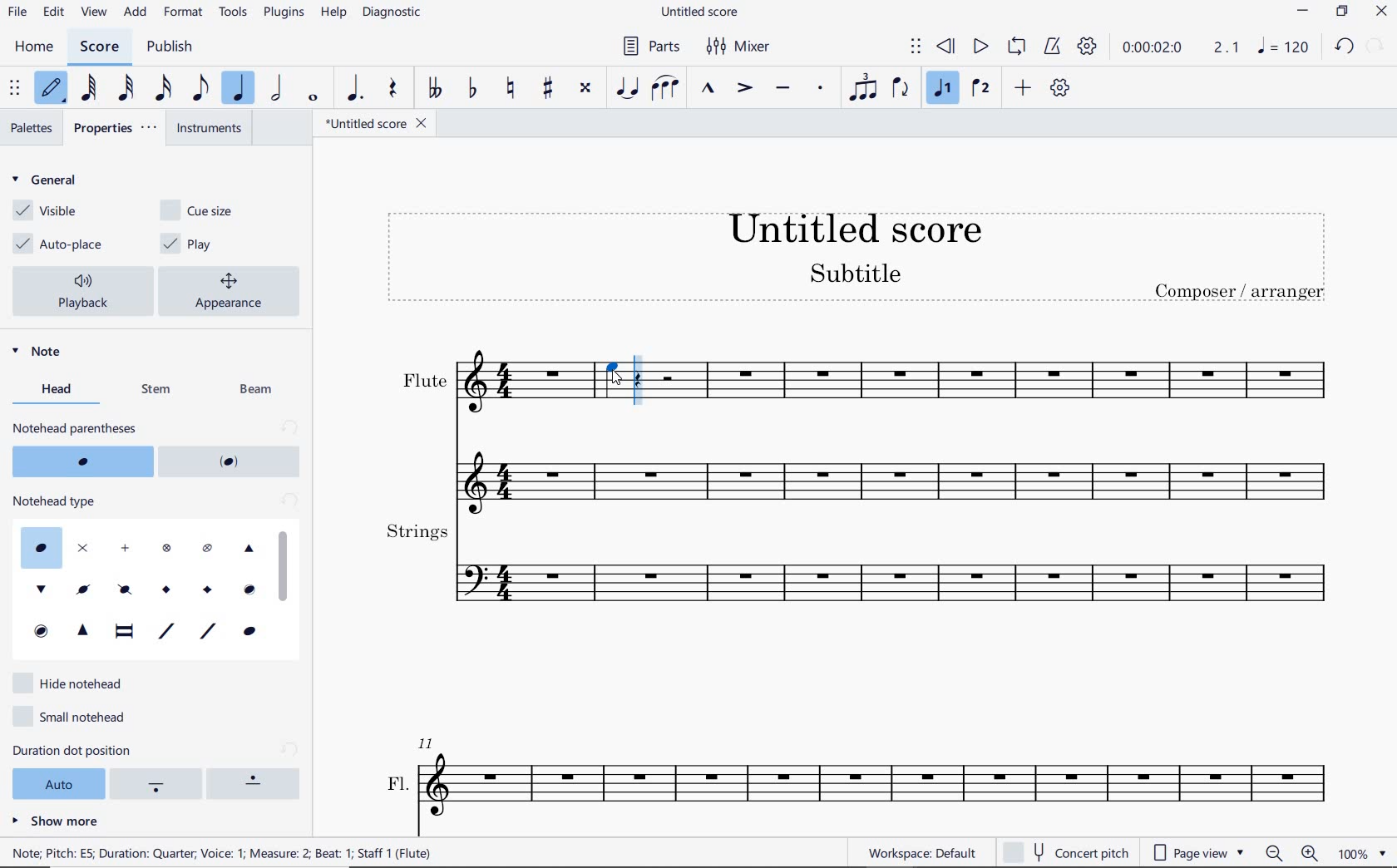 The image size is (1397, 868). Describe the element at coordinates (32, 126) in the screenshot. I see `PALETTES` at that location.